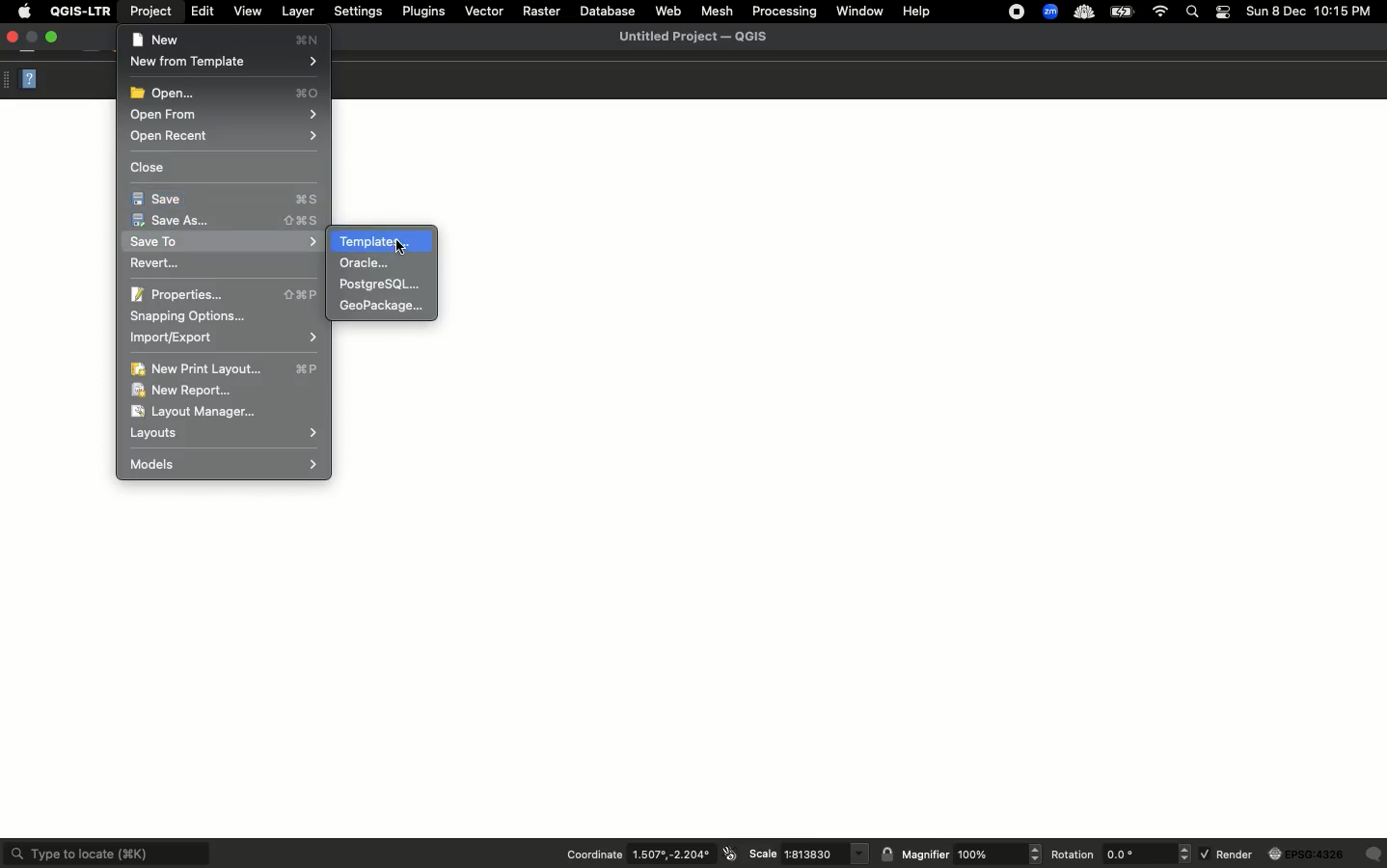  I want to click on Rotation, so click(1074, 855).